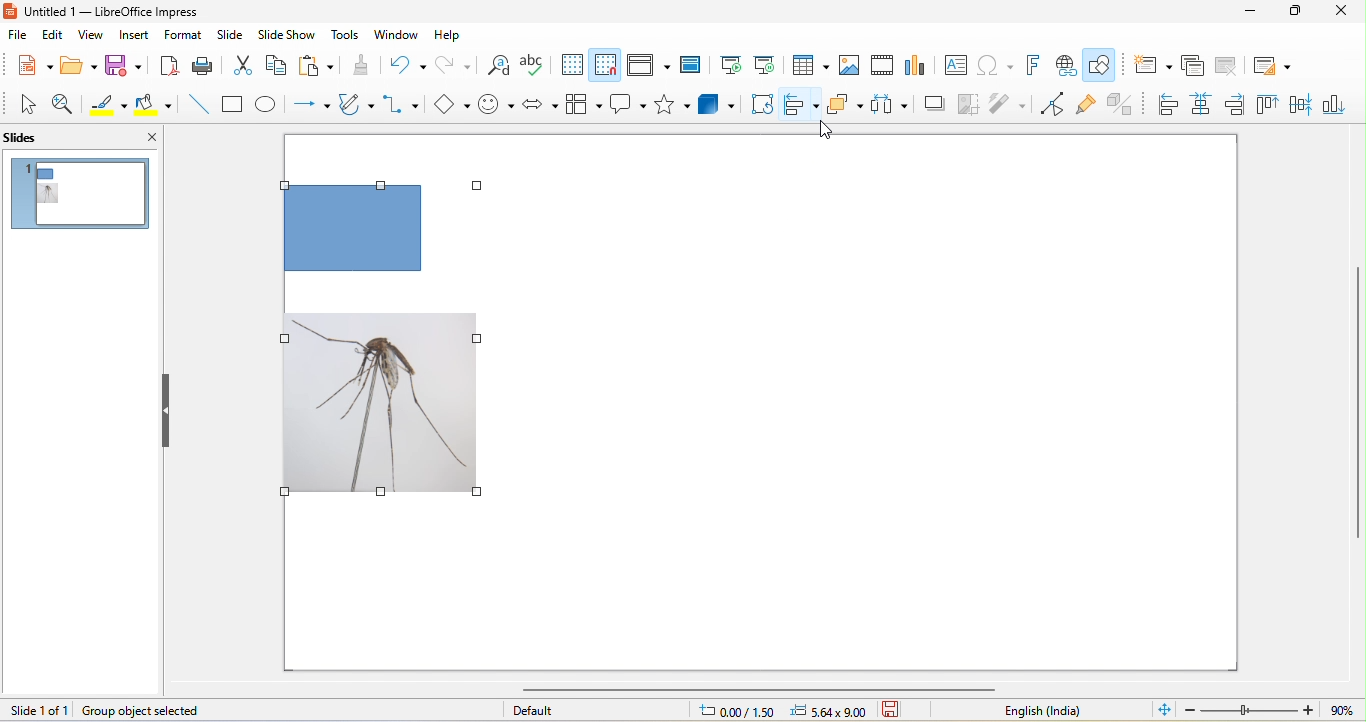  I want to click on 3d object, so click(722, 104).